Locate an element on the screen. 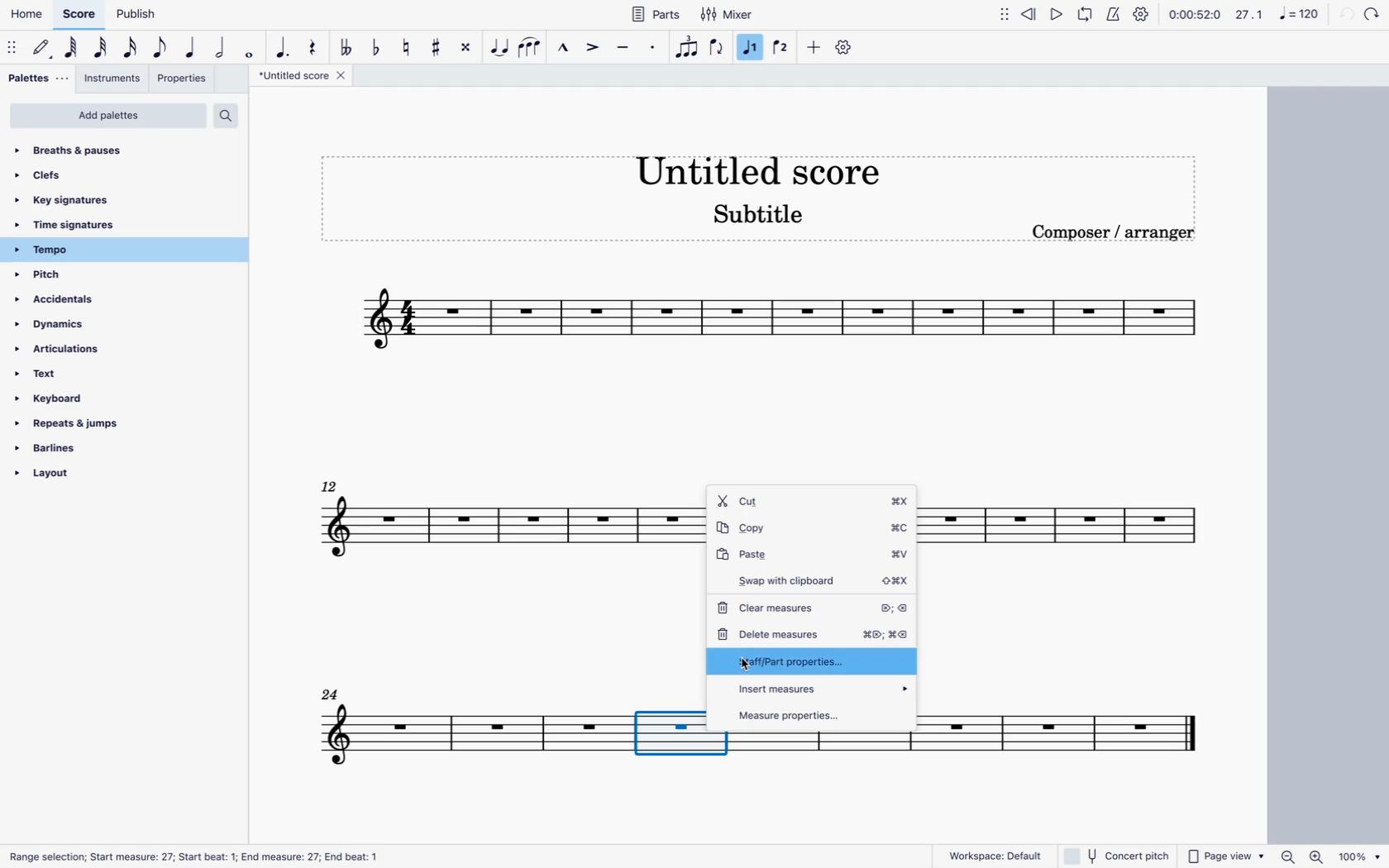 The image size is (1389, 868). voice 2 is located at coordinates (783, 43).